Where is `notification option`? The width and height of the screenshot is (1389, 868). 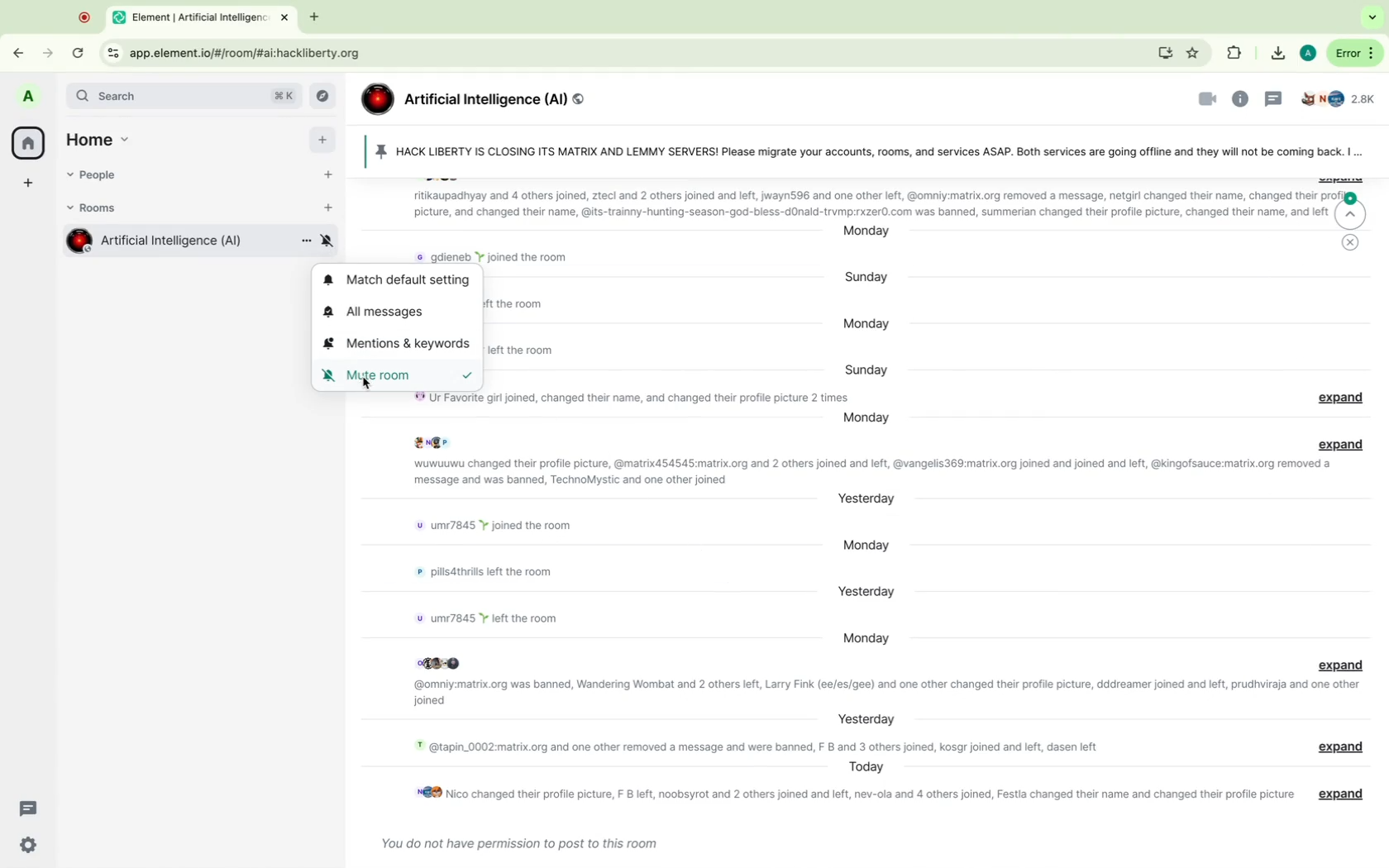 notification option is located at coordinates (328, 241).